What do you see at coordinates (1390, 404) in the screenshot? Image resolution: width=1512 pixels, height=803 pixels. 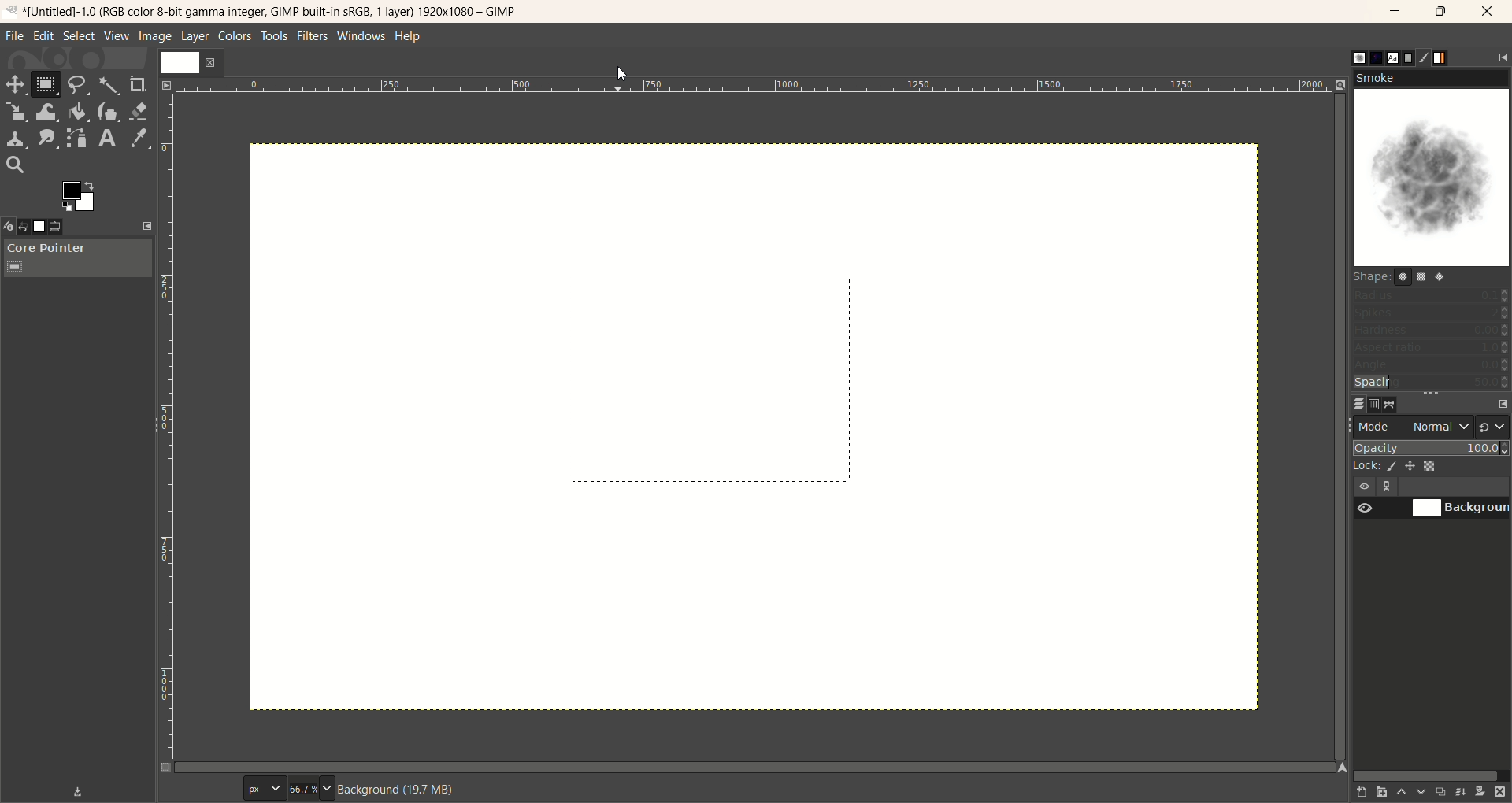 I see `path` at bounding box center [1390, 404].